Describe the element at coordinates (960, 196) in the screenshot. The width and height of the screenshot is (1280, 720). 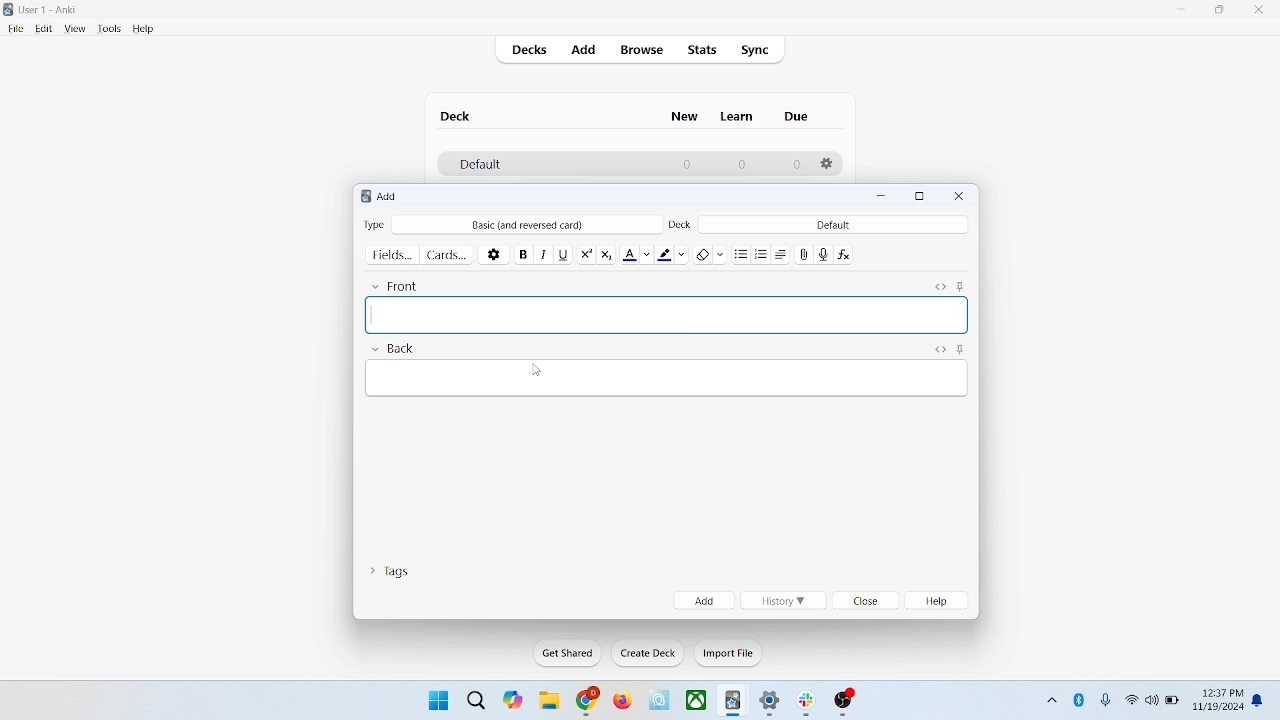
I see `close` at that location.